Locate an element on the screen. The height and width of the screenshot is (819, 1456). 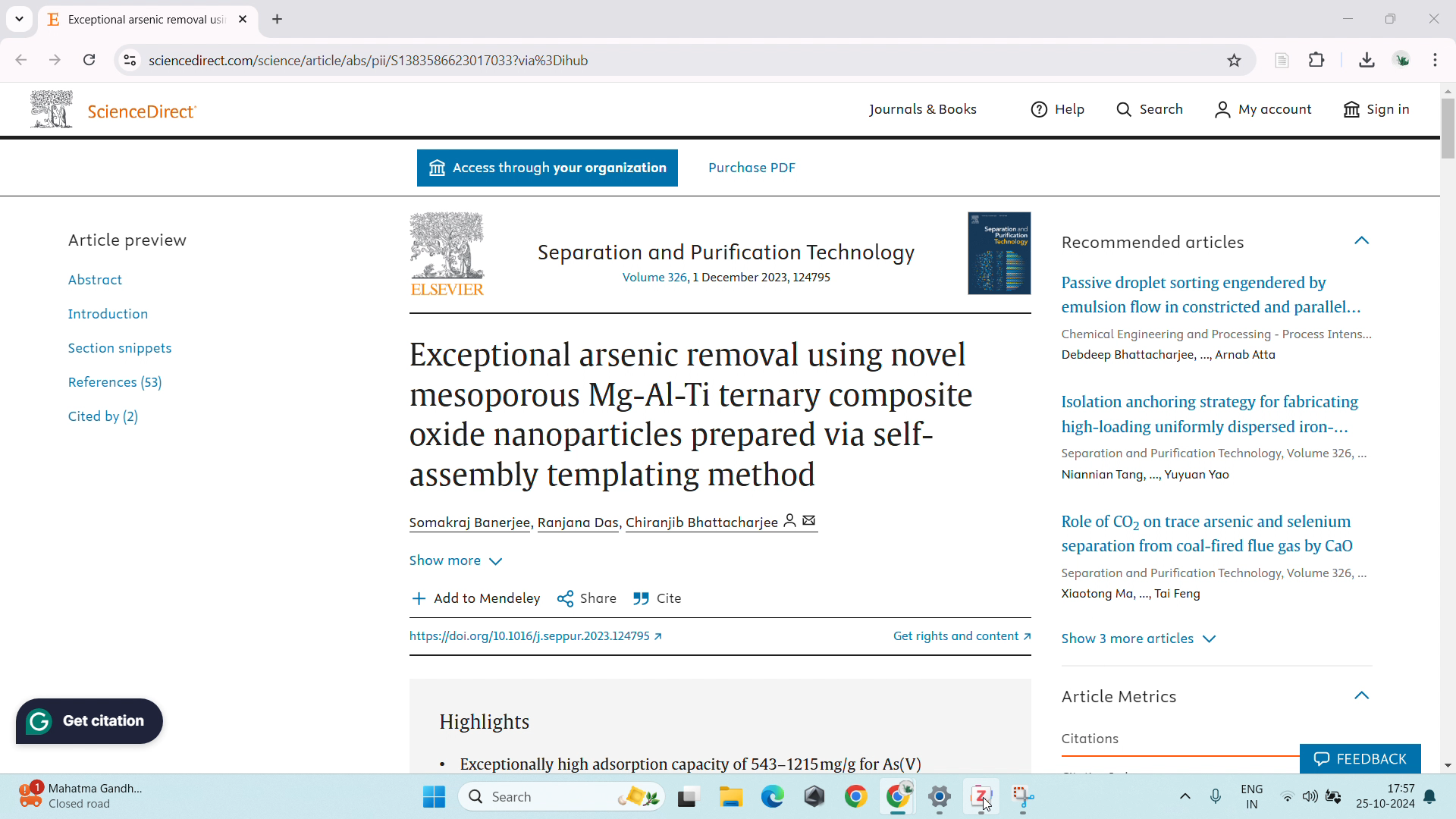
Isolation anchoring strategy for fabricating high-loading uniformly dispersed iron-... is located at coordinates (1209, 414).